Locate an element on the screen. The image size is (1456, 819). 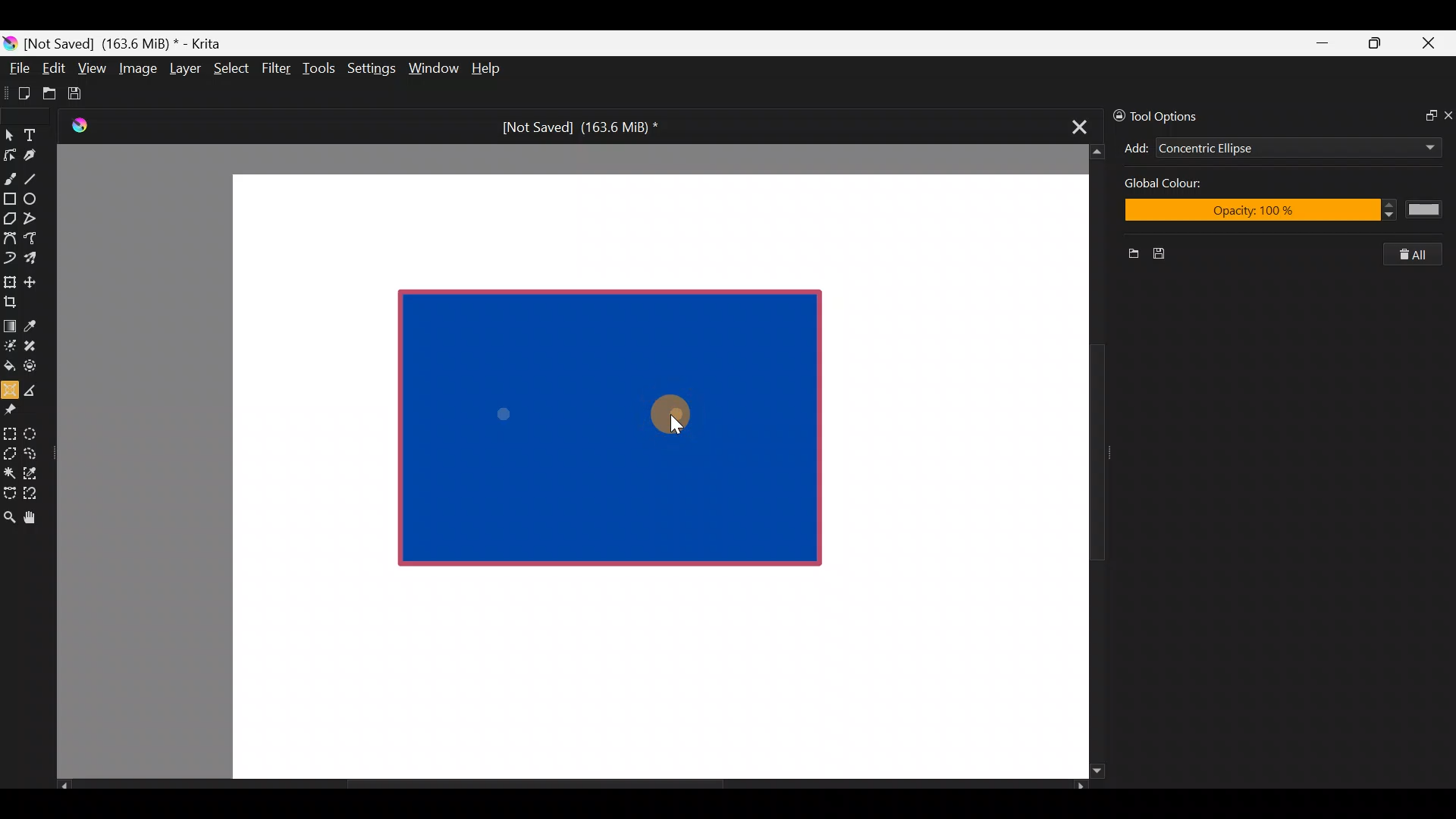
Krita Logo is located at coordinates (77, 125).